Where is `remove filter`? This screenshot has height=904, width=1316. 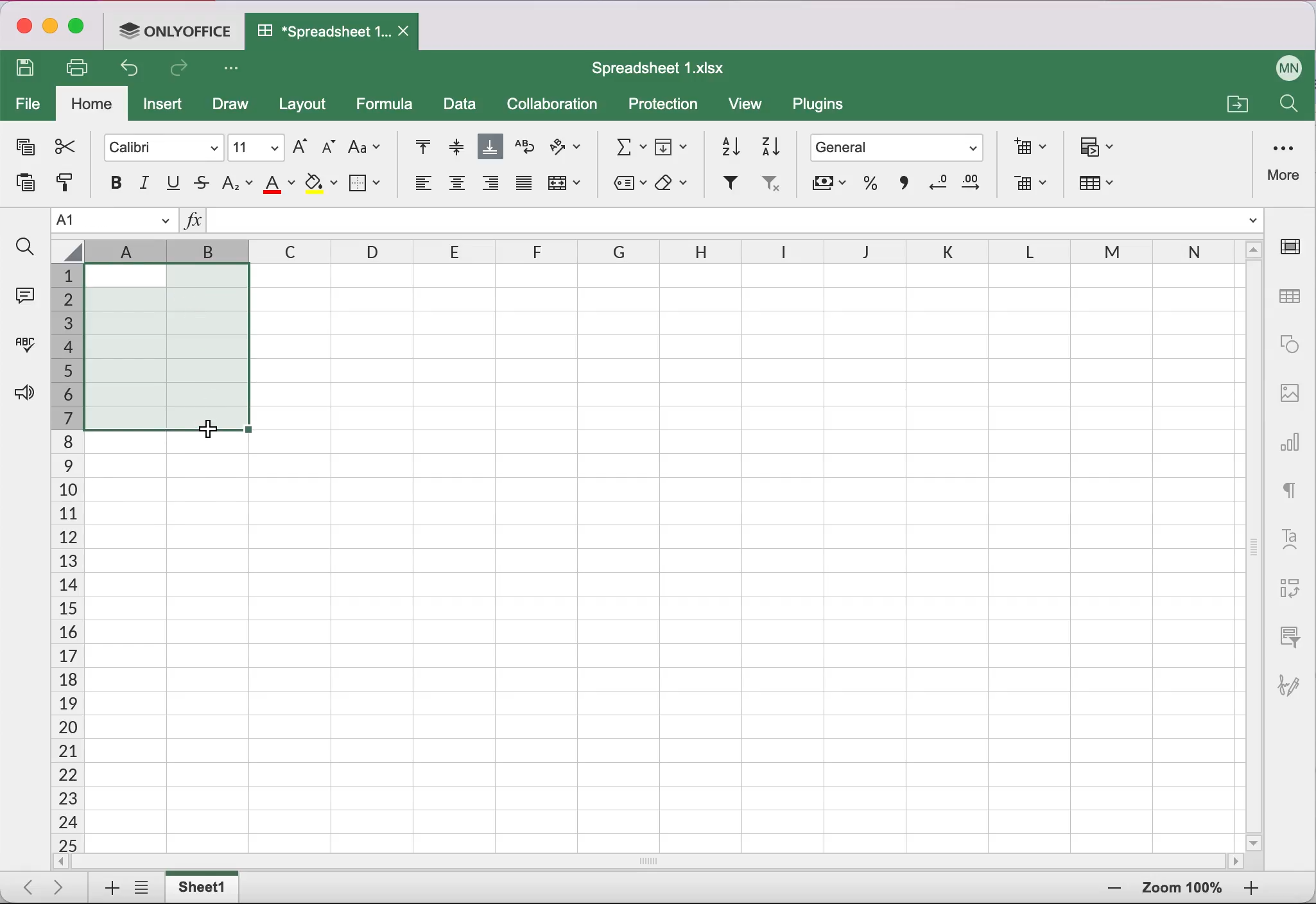 remove filter is located at coordinates (770, 187).